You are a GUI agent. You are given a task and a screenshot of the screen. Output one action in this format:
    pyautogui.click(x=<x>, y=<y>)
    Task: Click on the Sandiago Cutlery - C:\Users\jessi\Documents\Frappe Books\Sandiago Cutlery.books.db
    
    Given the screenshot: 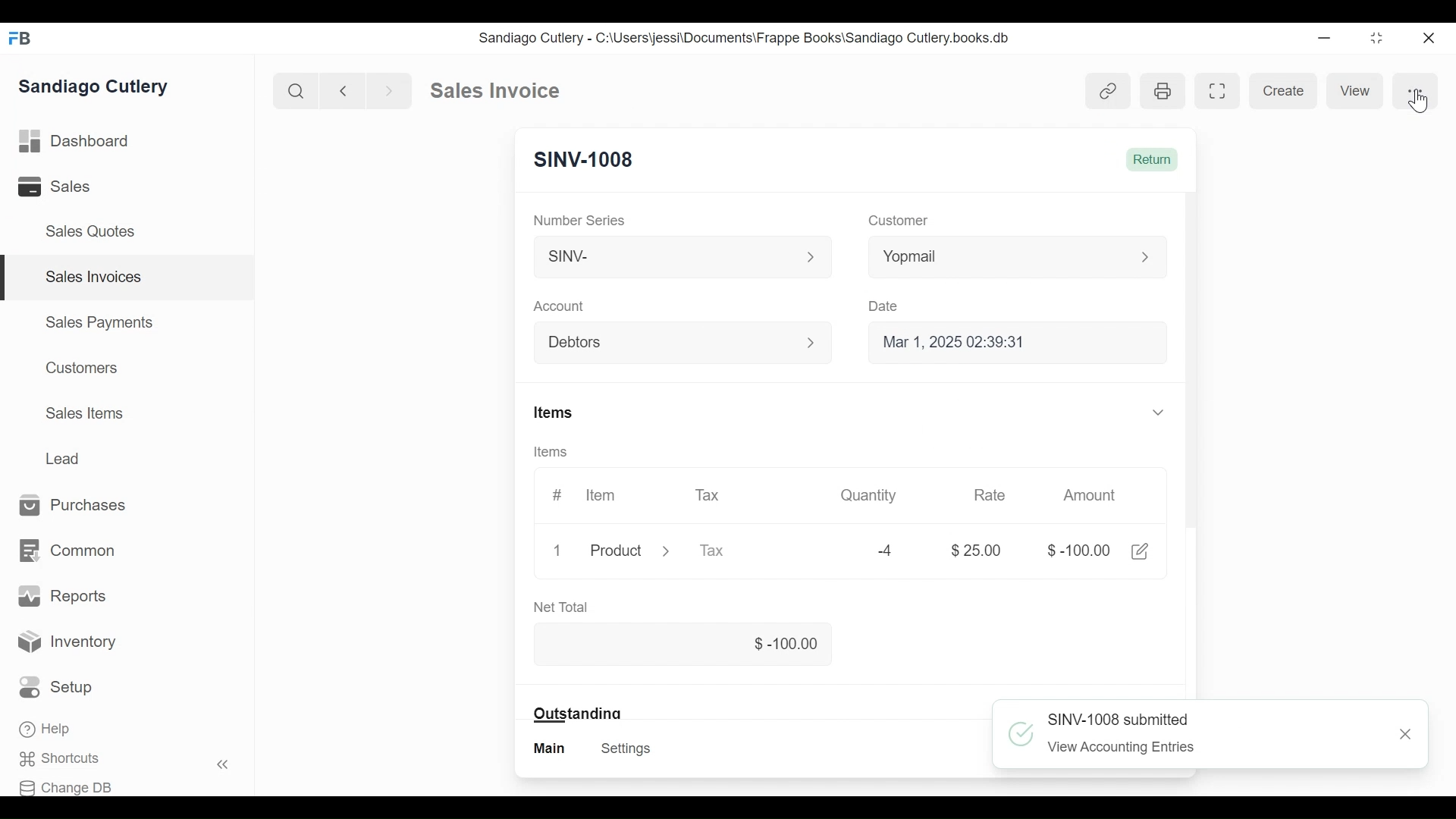 What is the action you would take?
    pyautogui.click(x=745, y=39)
    